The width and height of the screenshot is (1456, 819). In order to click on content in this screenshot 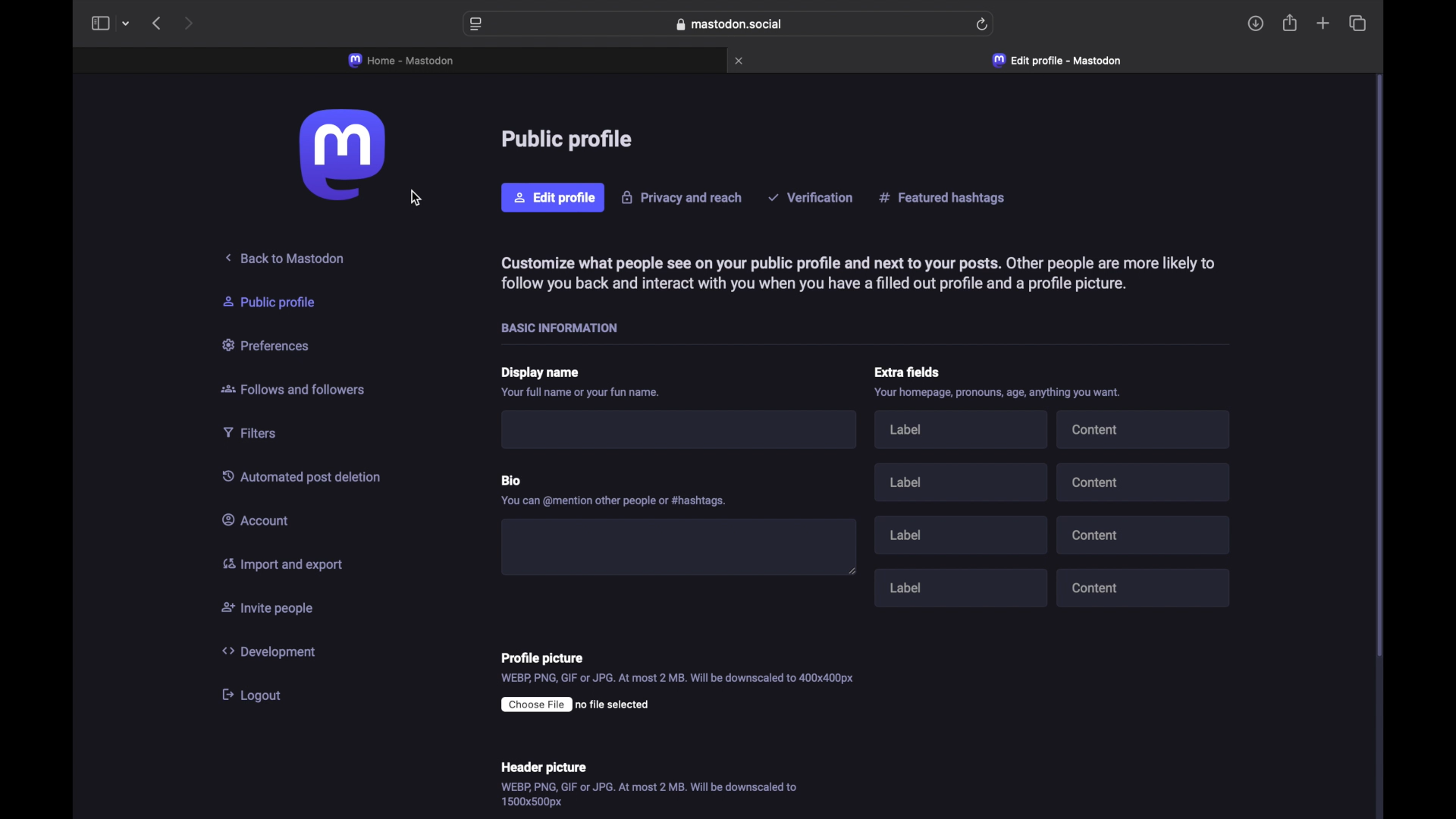, I will do `click(1143, 535)`.